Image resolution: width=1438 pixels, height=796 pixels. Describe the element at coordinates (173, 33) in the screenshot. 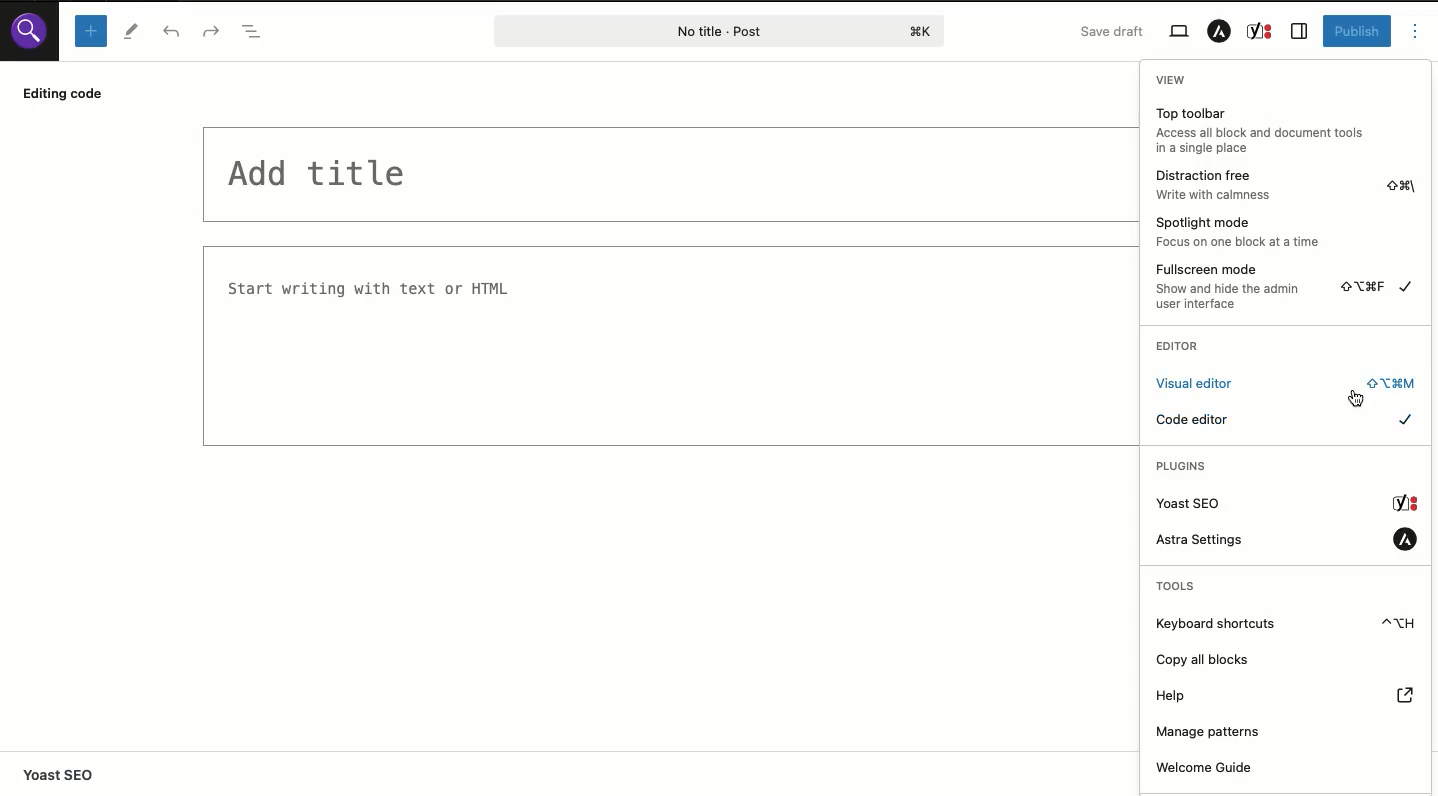

I see `Undo` at that location.